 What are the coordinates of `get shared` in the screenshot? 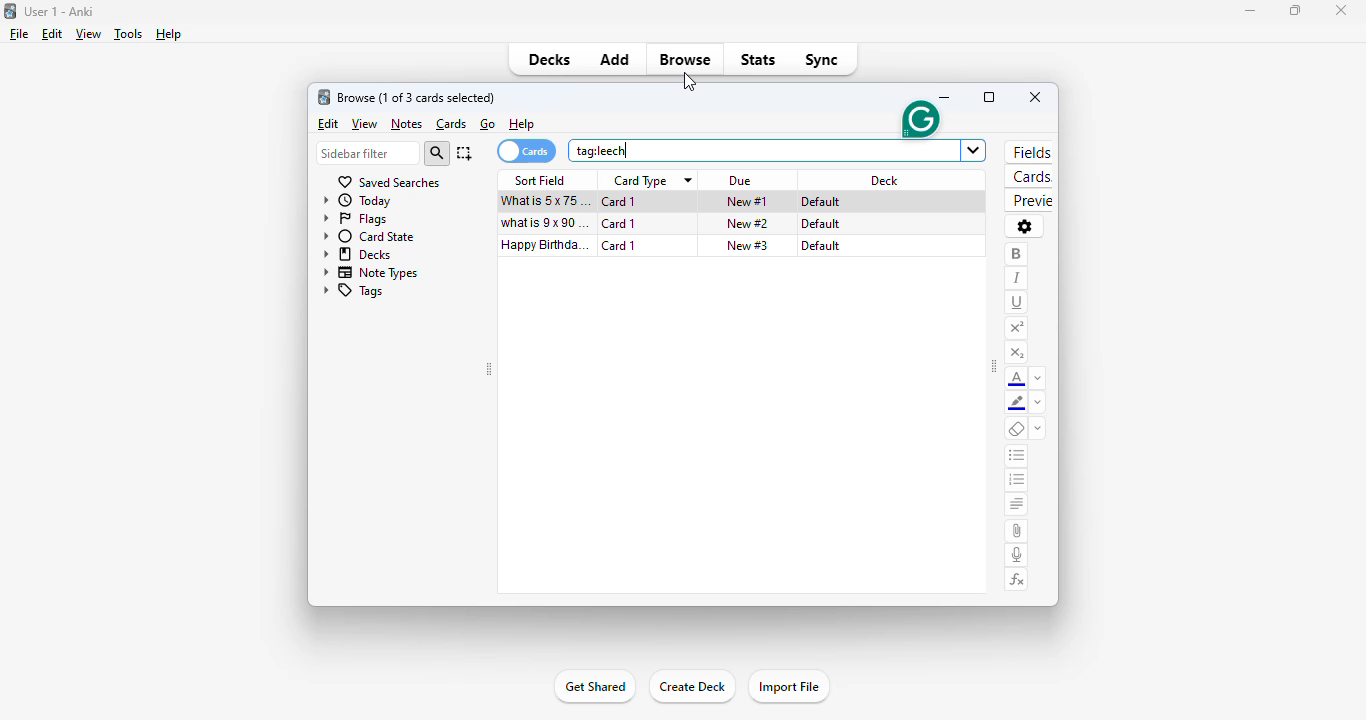 It's located at (597, 687).